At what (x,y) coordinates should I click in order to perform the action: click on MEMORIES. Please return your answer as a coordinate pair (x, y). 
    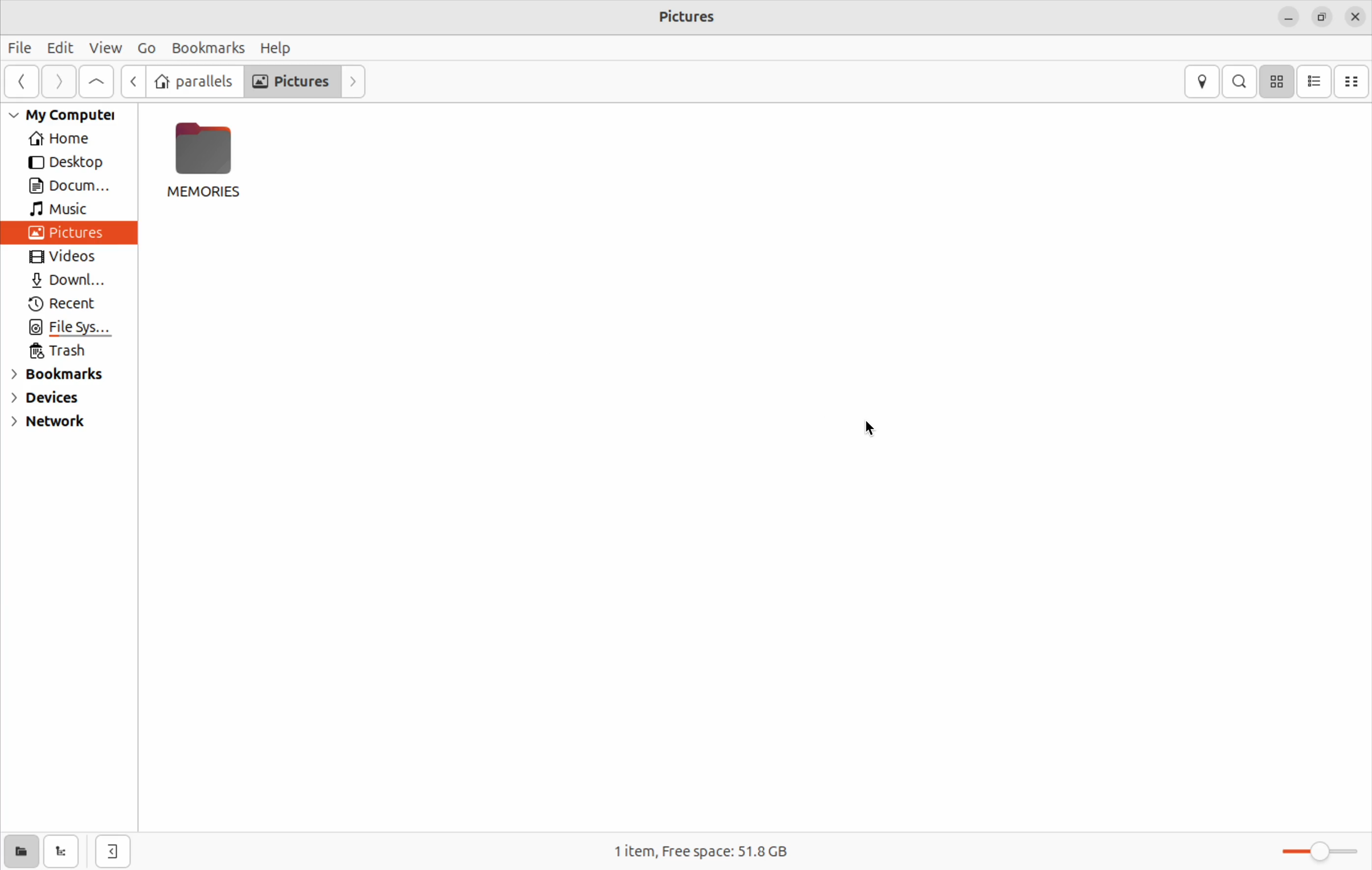
    Looking at the image, I should click on (203, 160).